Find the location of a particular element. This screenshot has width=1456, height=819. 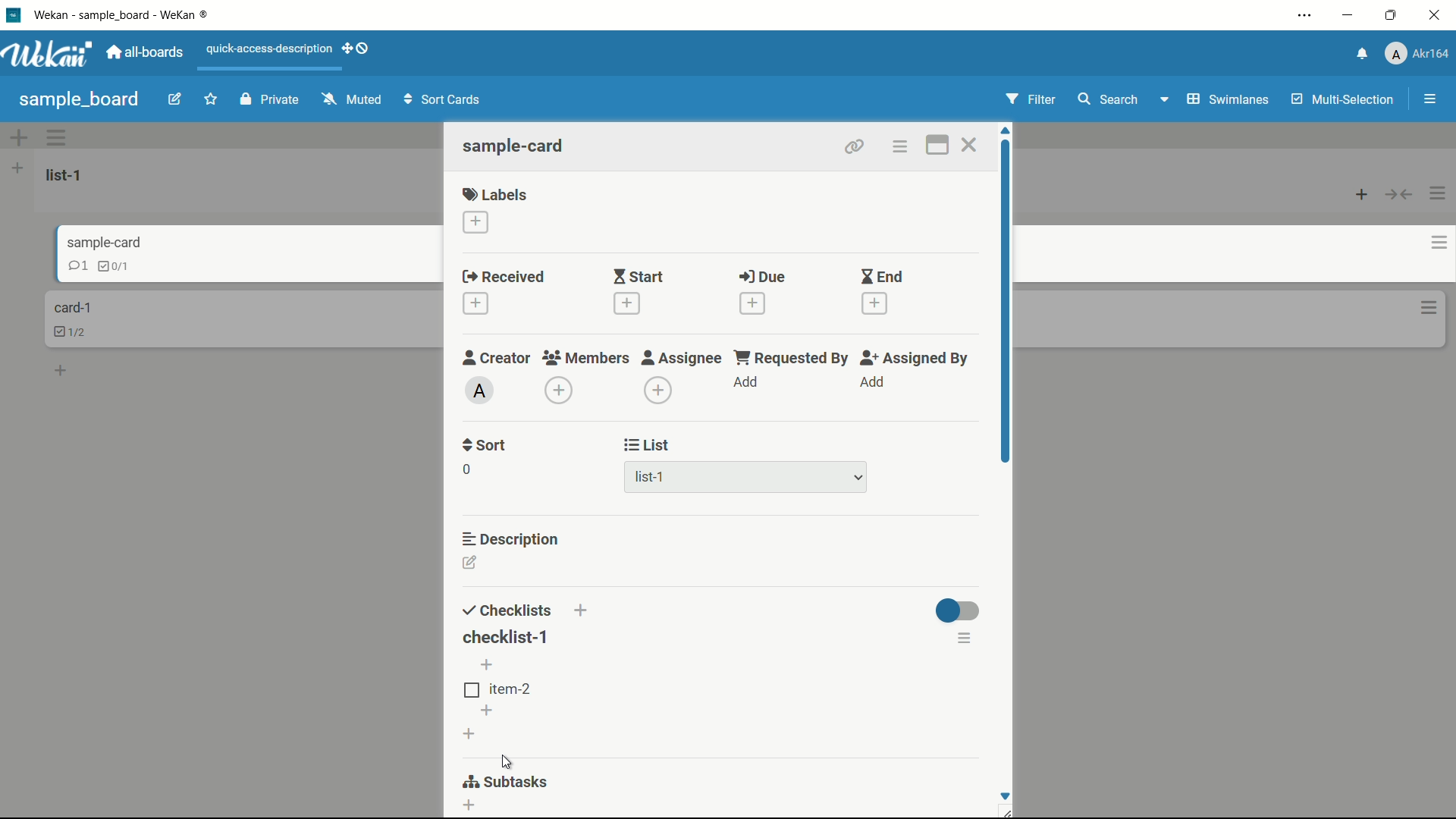

members is located at coordinates (584, 358).